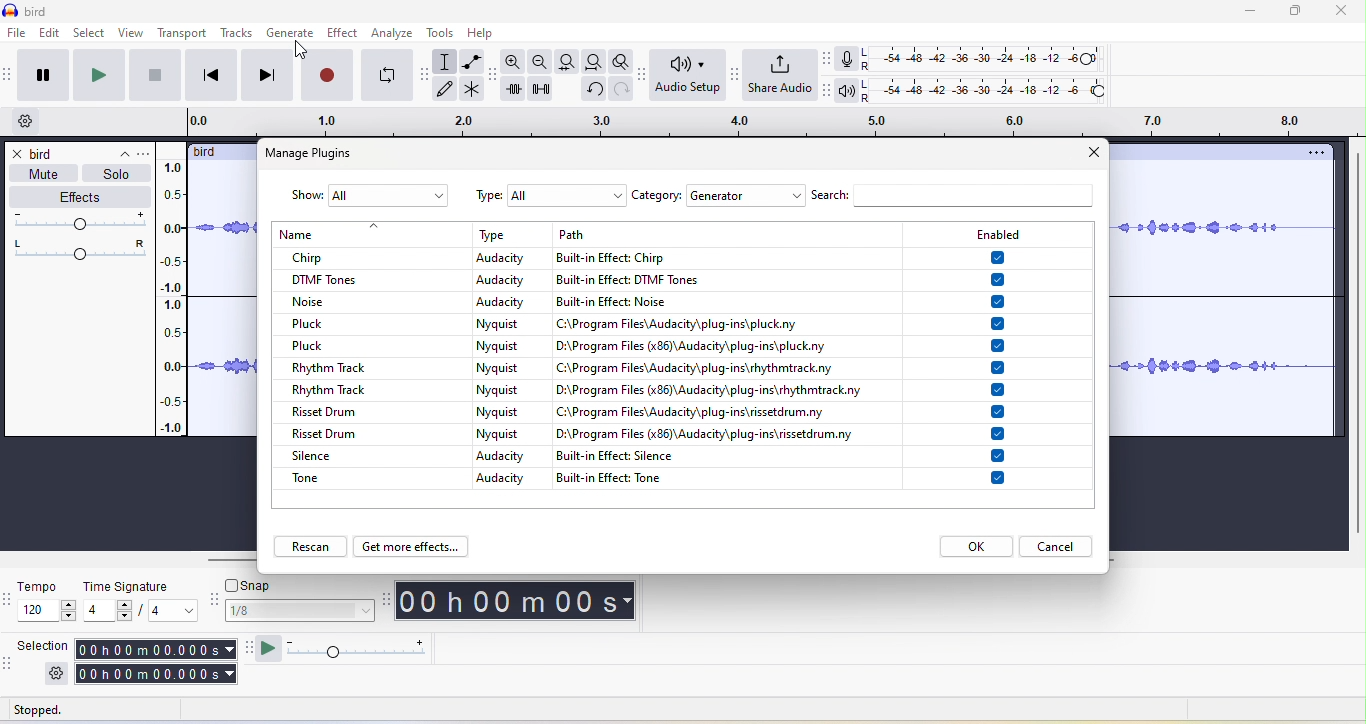  Describe the element at coordinates (829, 58) in the screenshot. I see `audacity record meter toolbar` at that location.